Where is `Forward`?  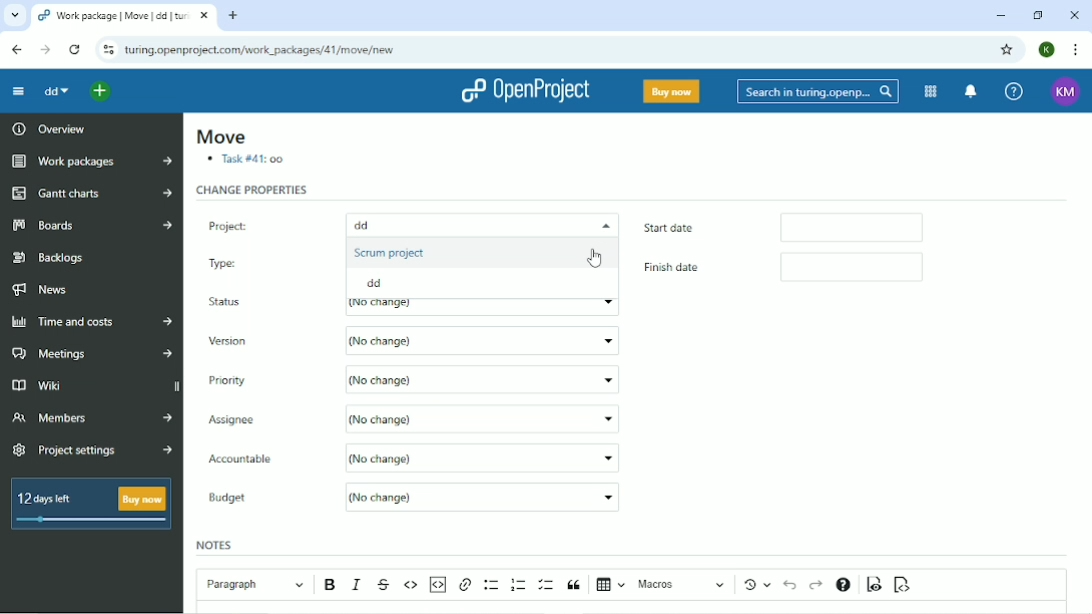
Forward is located at coordinates (45, 50).